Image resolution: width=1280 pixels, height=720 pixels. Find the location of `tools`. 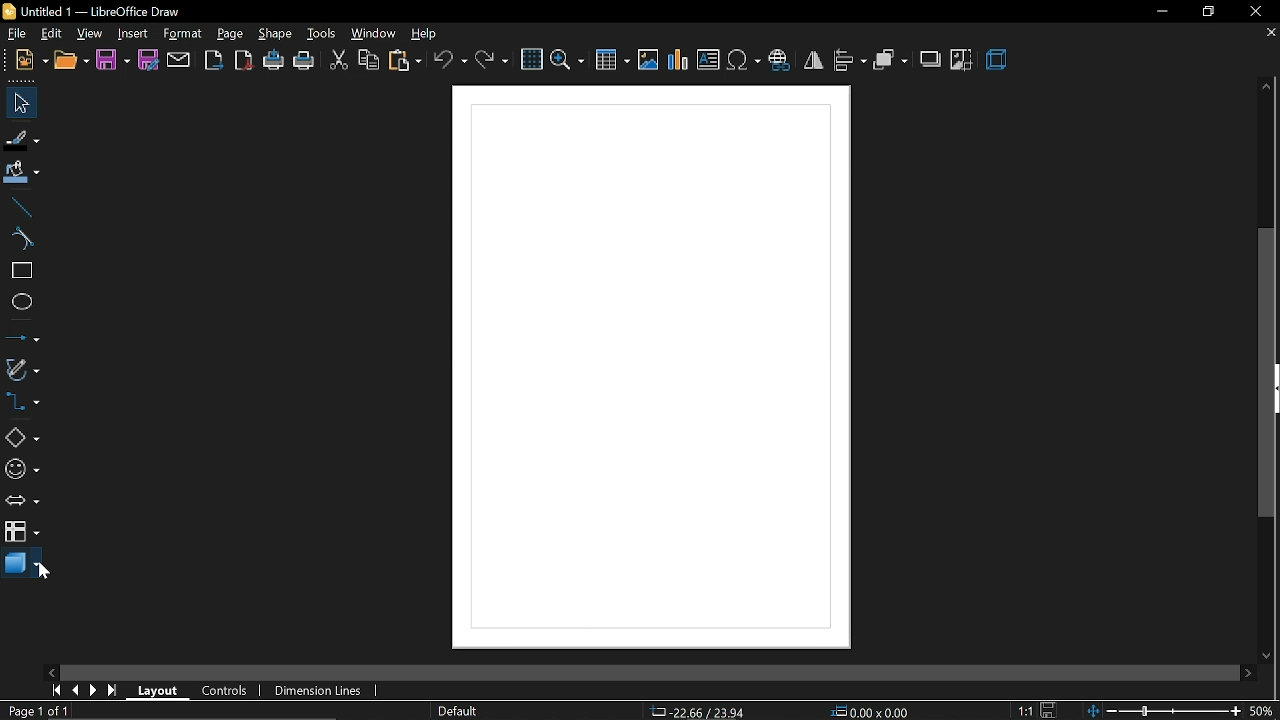

tools is located at coordinates (322, 34).